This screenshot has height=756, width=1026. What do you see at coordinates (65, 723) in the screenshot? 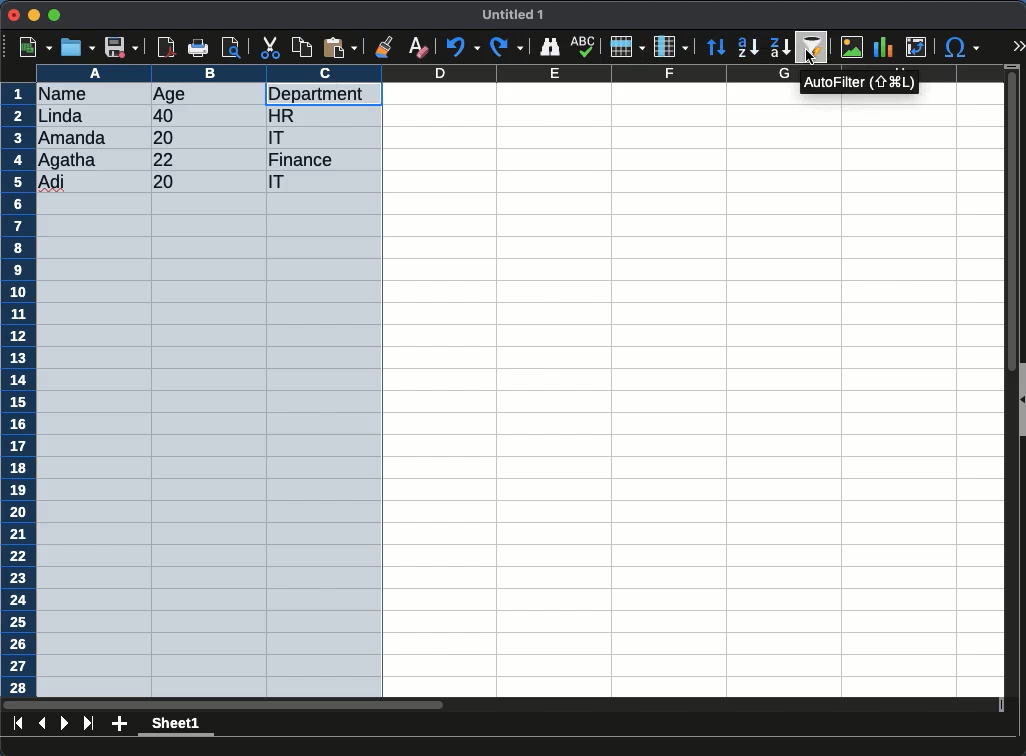
I see `next page` at bounding box center [65, 723].